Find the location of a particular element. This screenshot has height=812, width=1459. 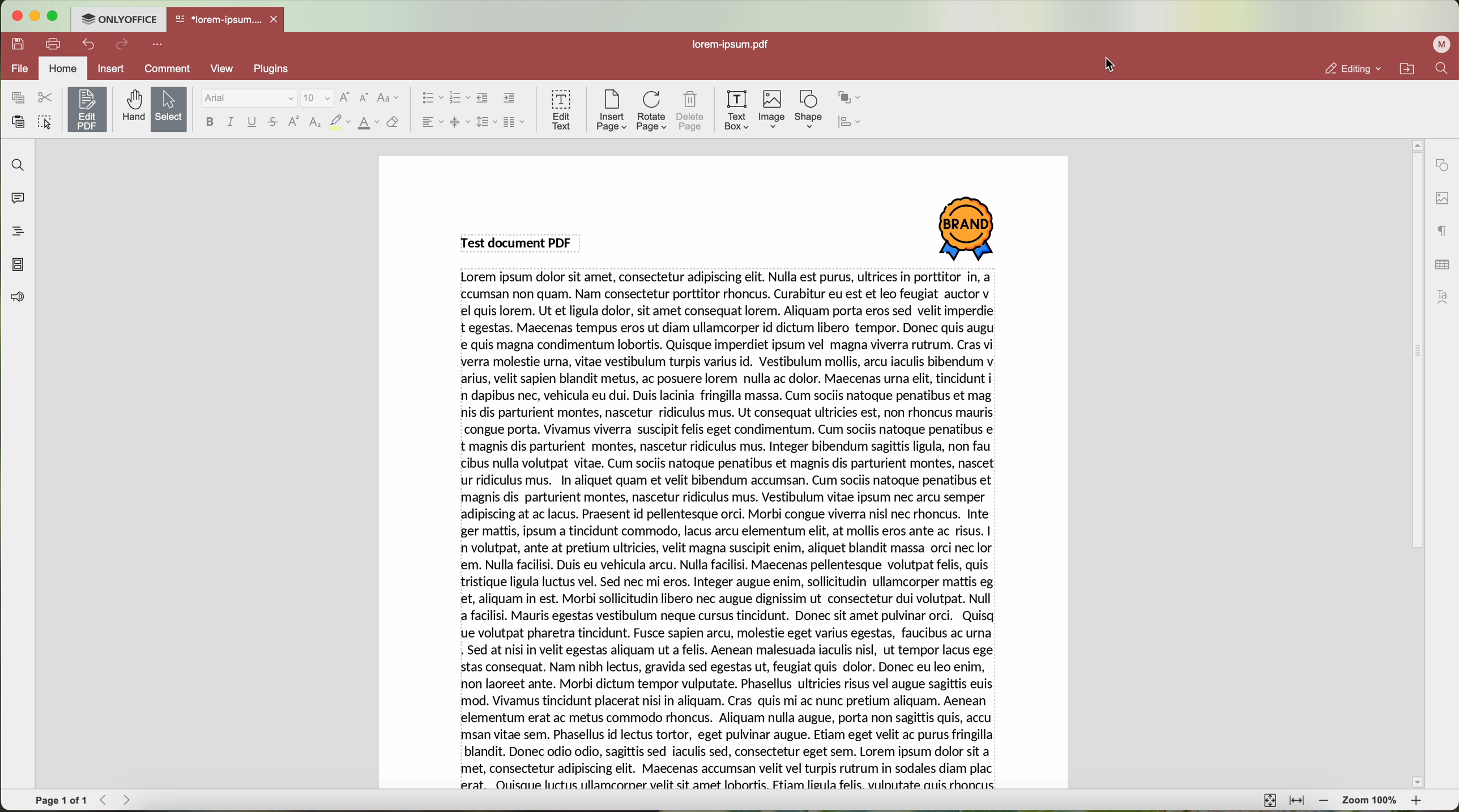

*lorem-ipsum.... is located at coordinates (217, 17).